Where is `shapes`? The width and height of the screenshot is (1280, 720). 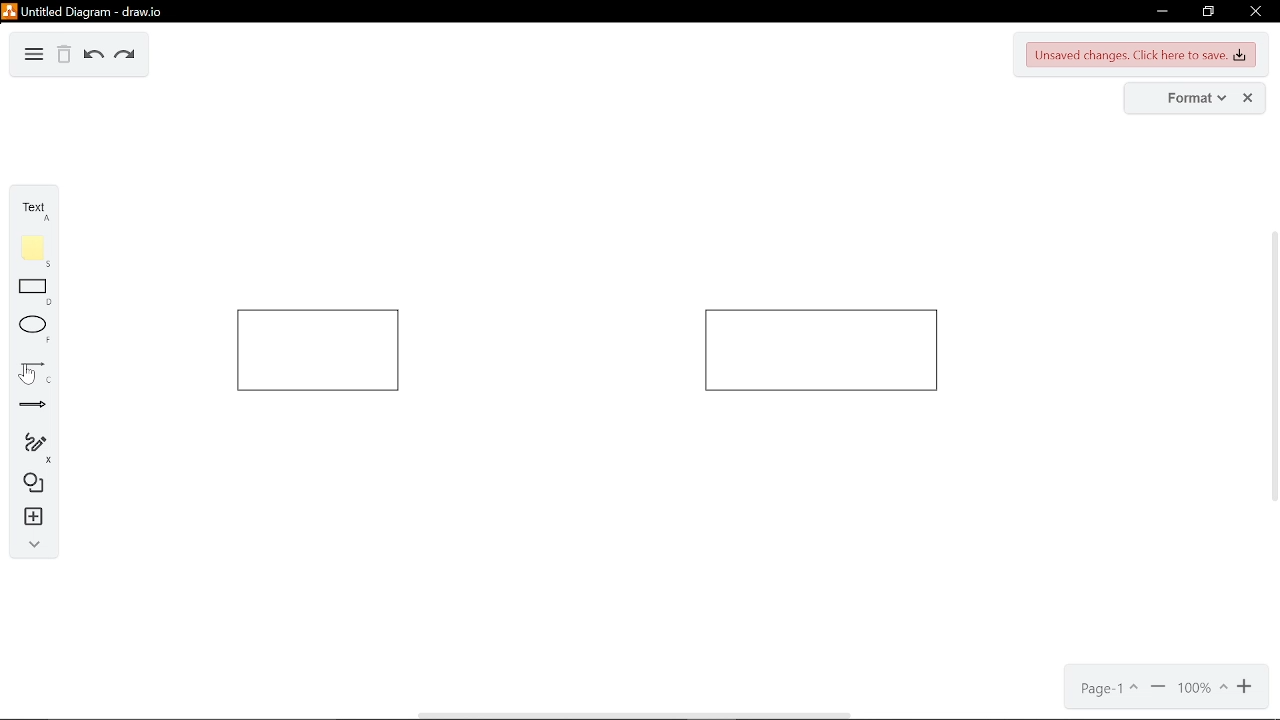
shapes is located at coordinates (30, 482).